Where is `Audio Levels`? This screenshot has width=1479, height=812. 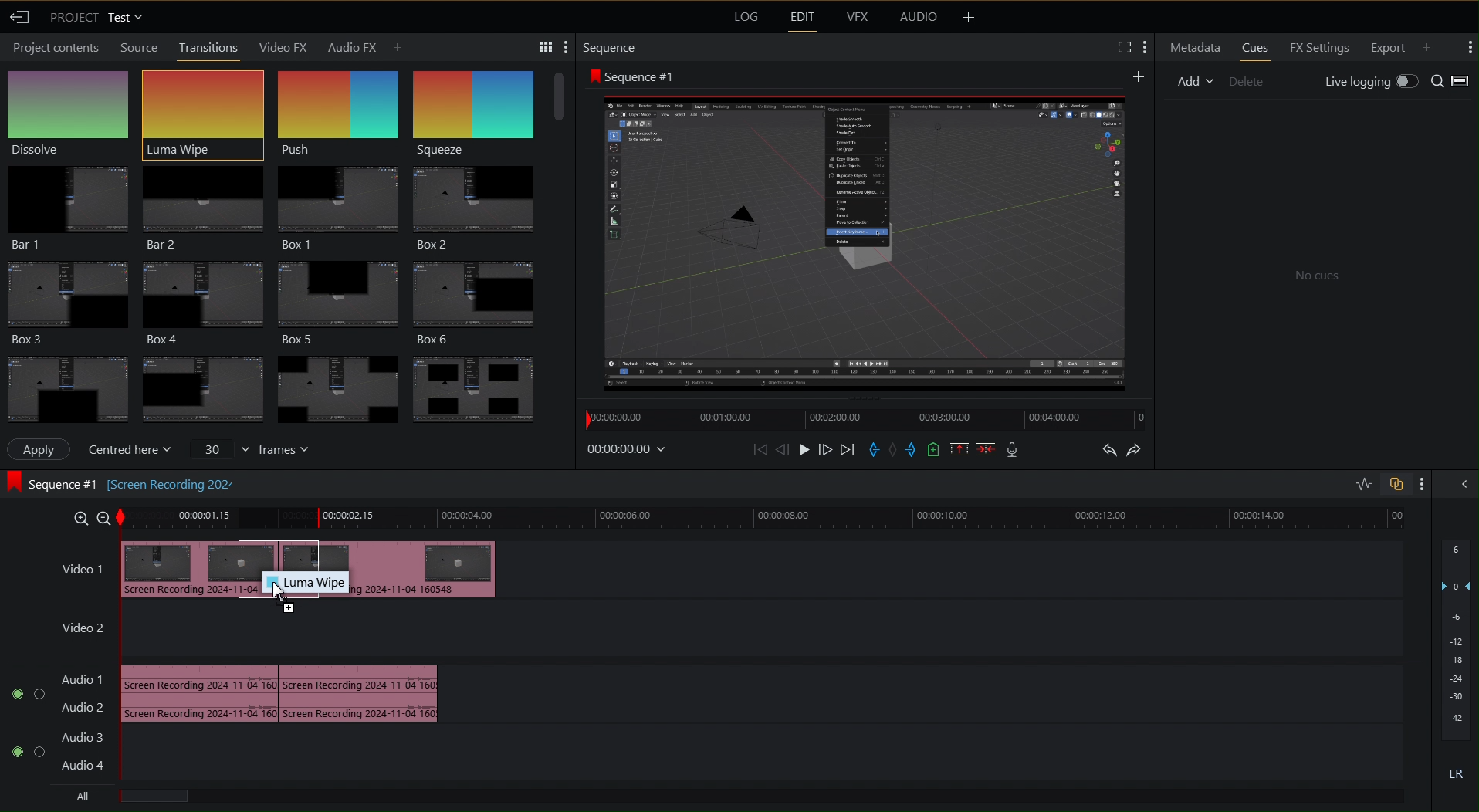
Audio Levels is located at coordinates (1456, 664).